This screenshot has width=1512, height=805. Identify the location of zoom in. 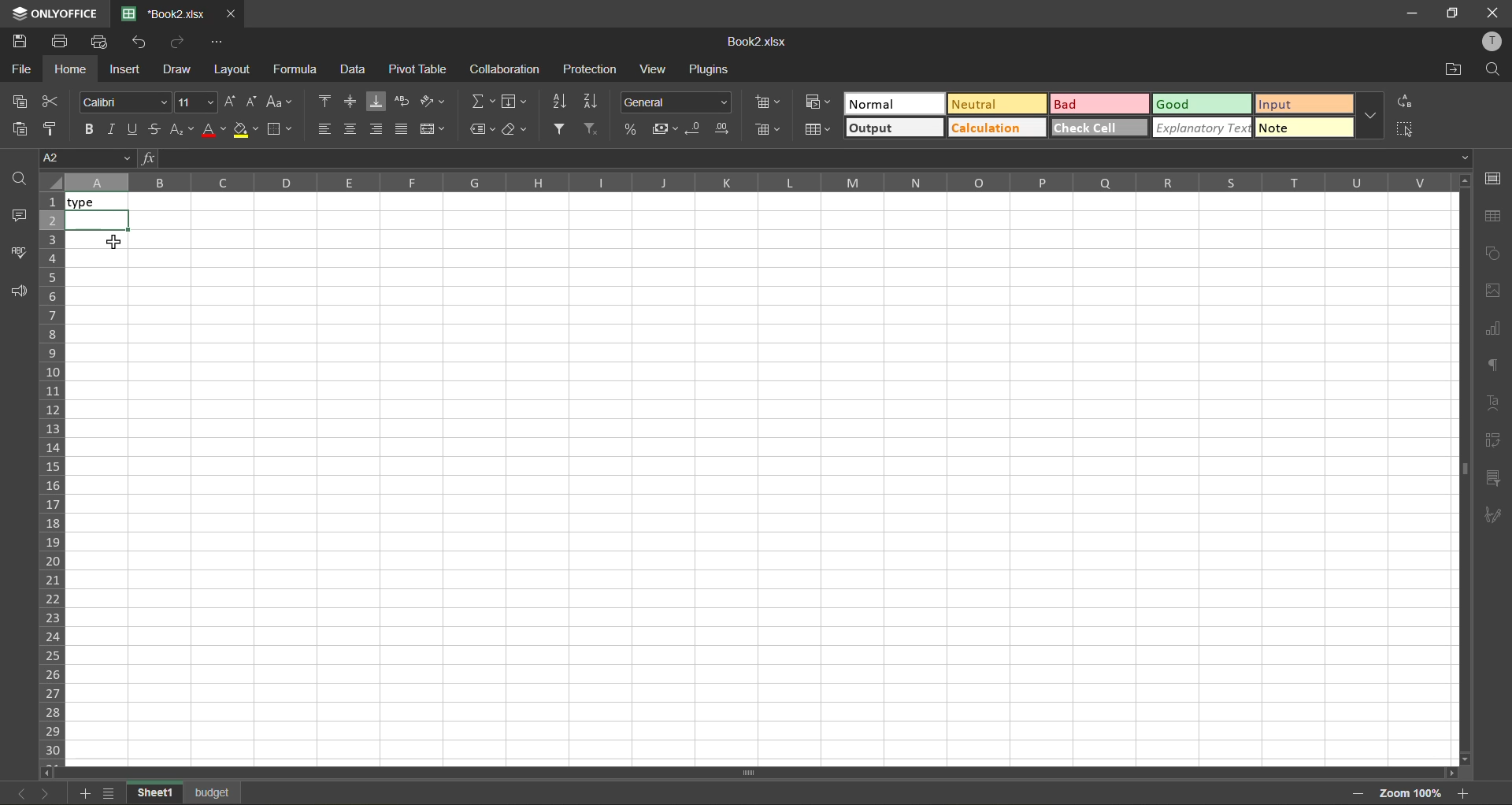
(1468, 792).